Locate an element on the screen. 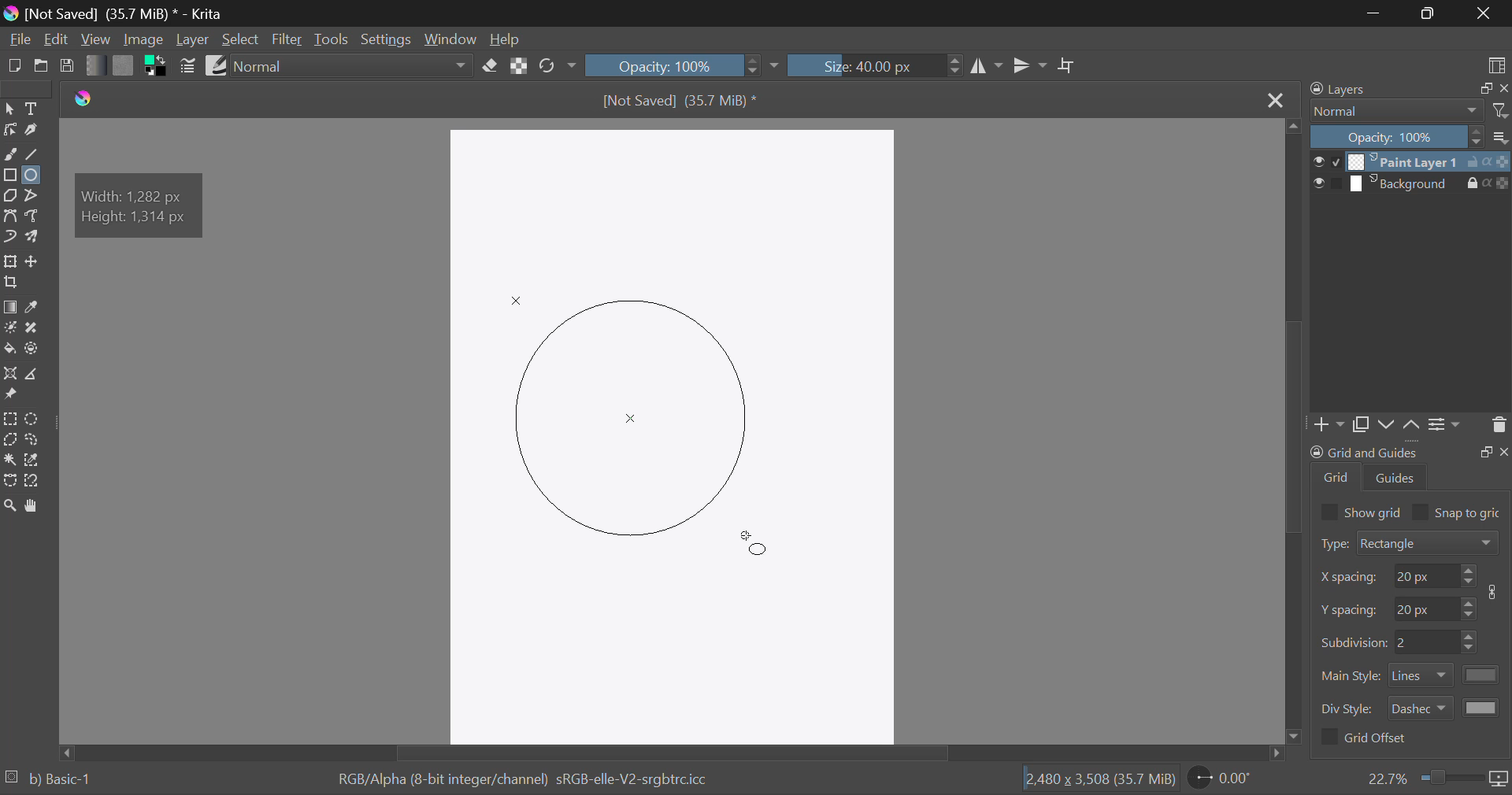 This screenshot has height=795, width=1512. Dynamic Brush is located at coordinates (10, 238).